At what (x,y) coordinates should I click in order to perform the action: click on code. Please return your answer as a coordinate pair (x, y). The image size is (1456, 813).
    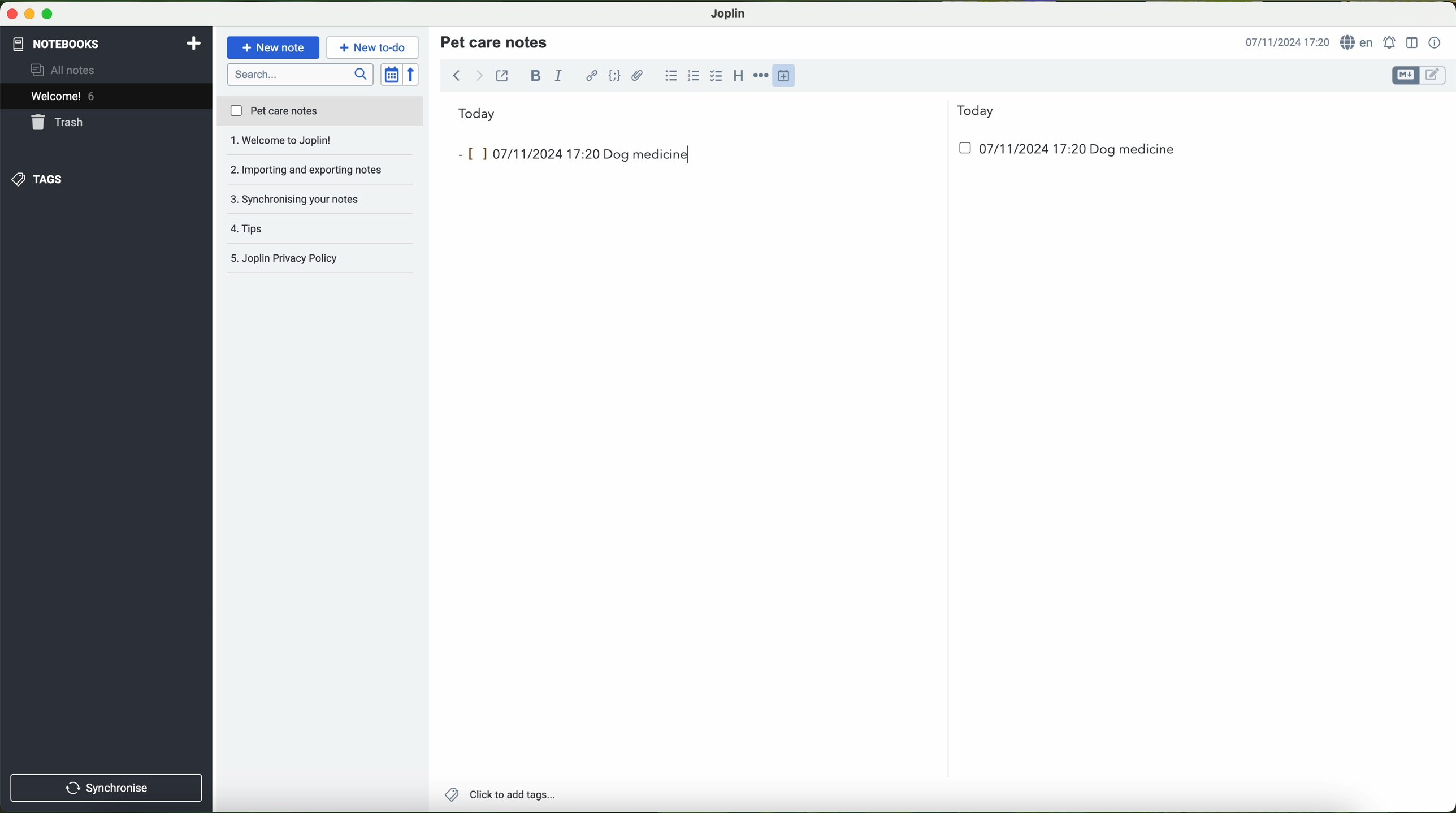
    Looking at the image, I should click on (614, 75).